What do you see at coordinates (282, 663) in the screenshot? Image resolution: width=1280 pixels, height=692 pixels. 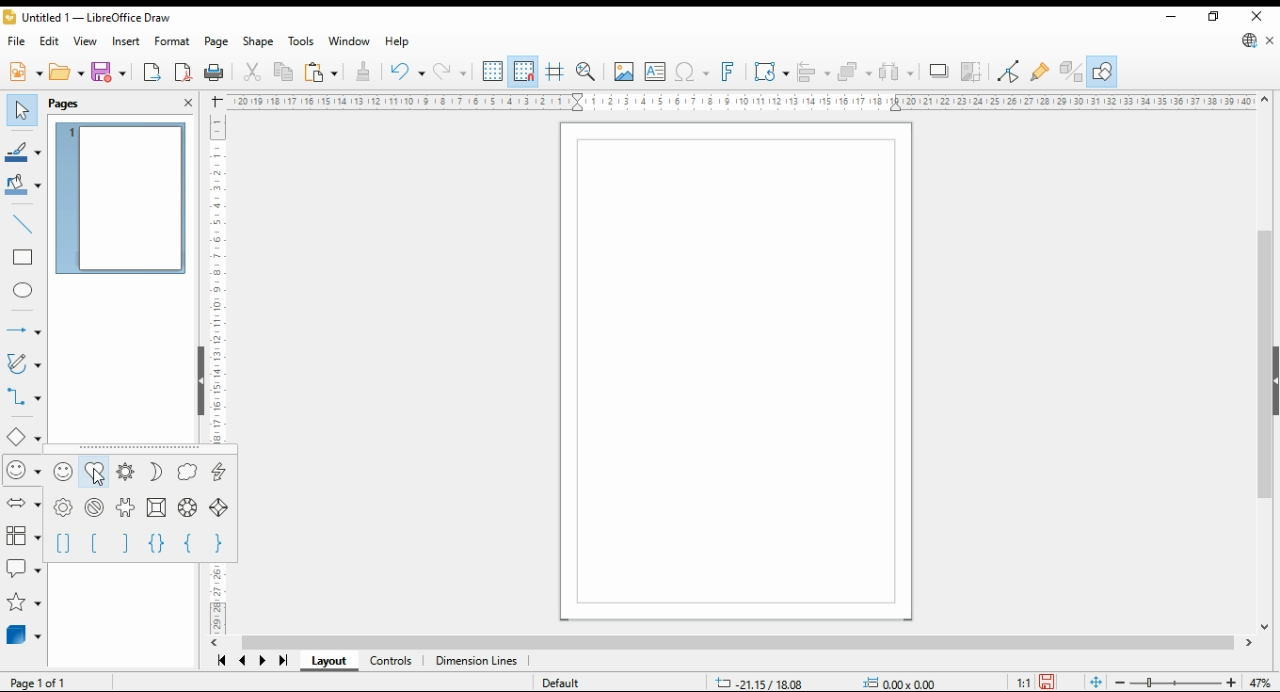 I see `last page` at bounding box center [282, 663].